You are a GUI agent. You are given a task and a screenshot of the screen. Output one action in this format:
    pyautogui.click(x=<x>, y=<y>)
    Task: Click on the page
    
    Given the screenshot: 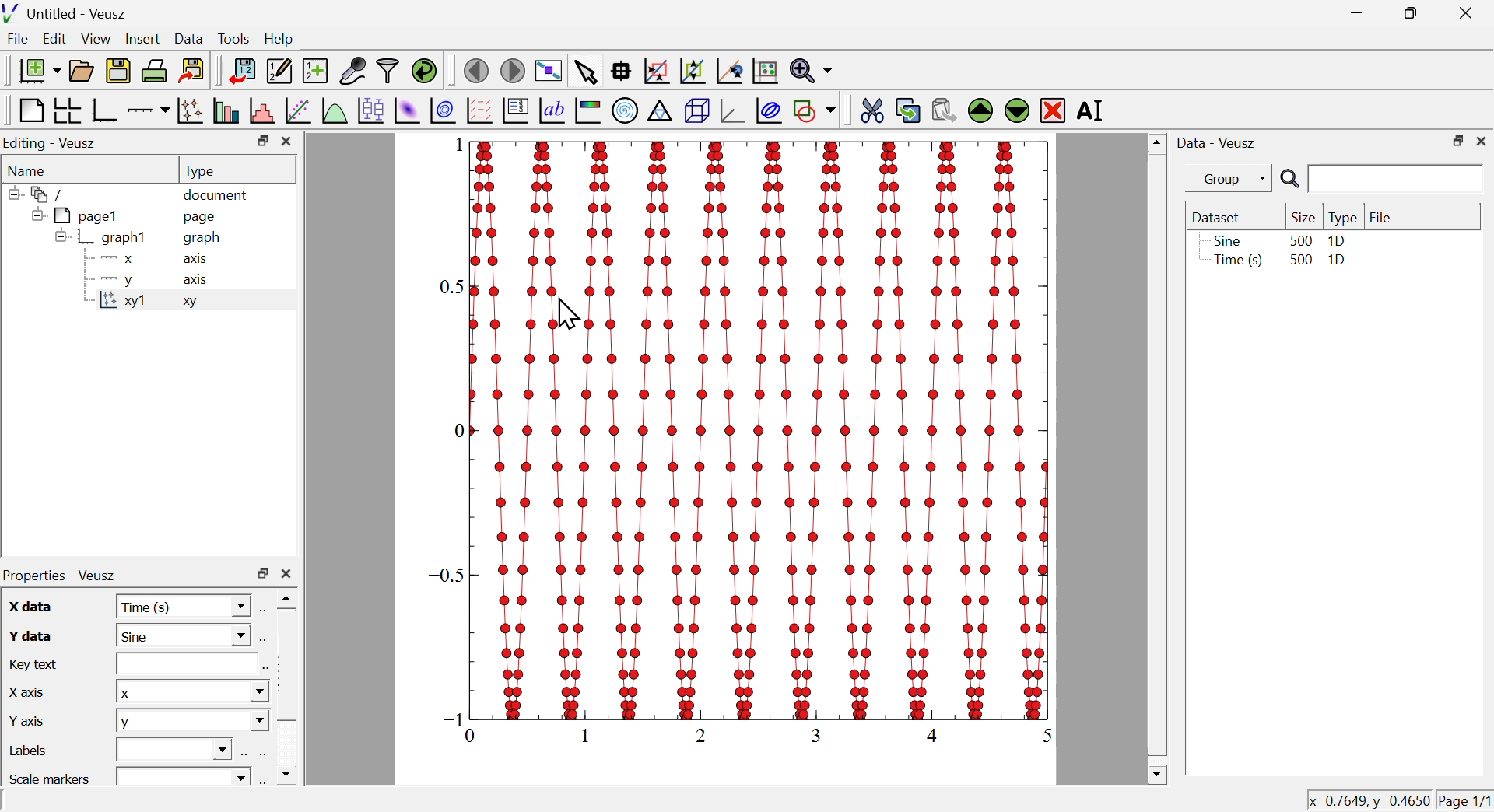 What is the action you would take?
    pyautogui.click(x=202, y=219)
    